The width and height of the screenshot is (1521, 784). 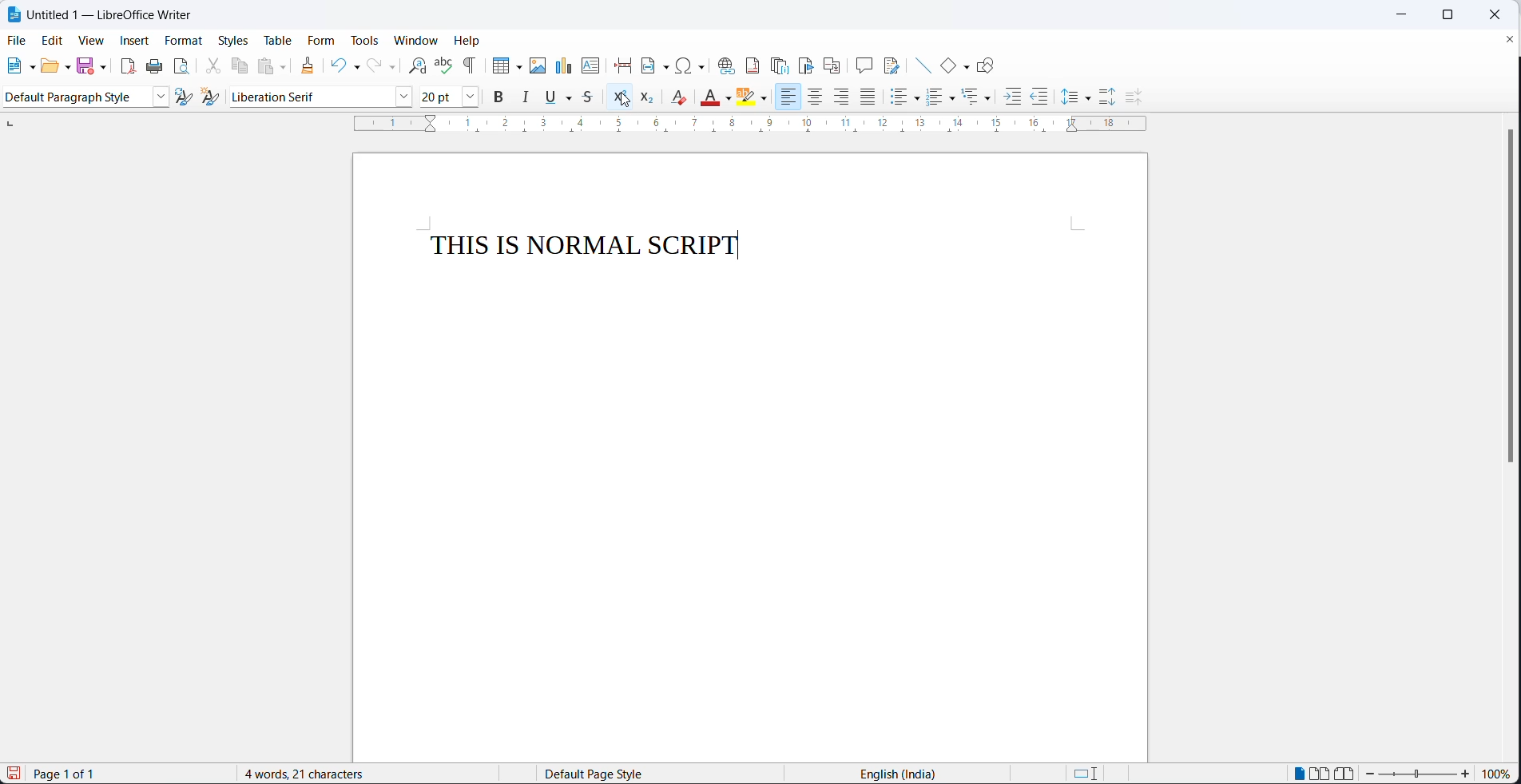 What do you see at coordinates (373, 66) in the screenshot?
I see `redo` at bounding box center [373, 66].